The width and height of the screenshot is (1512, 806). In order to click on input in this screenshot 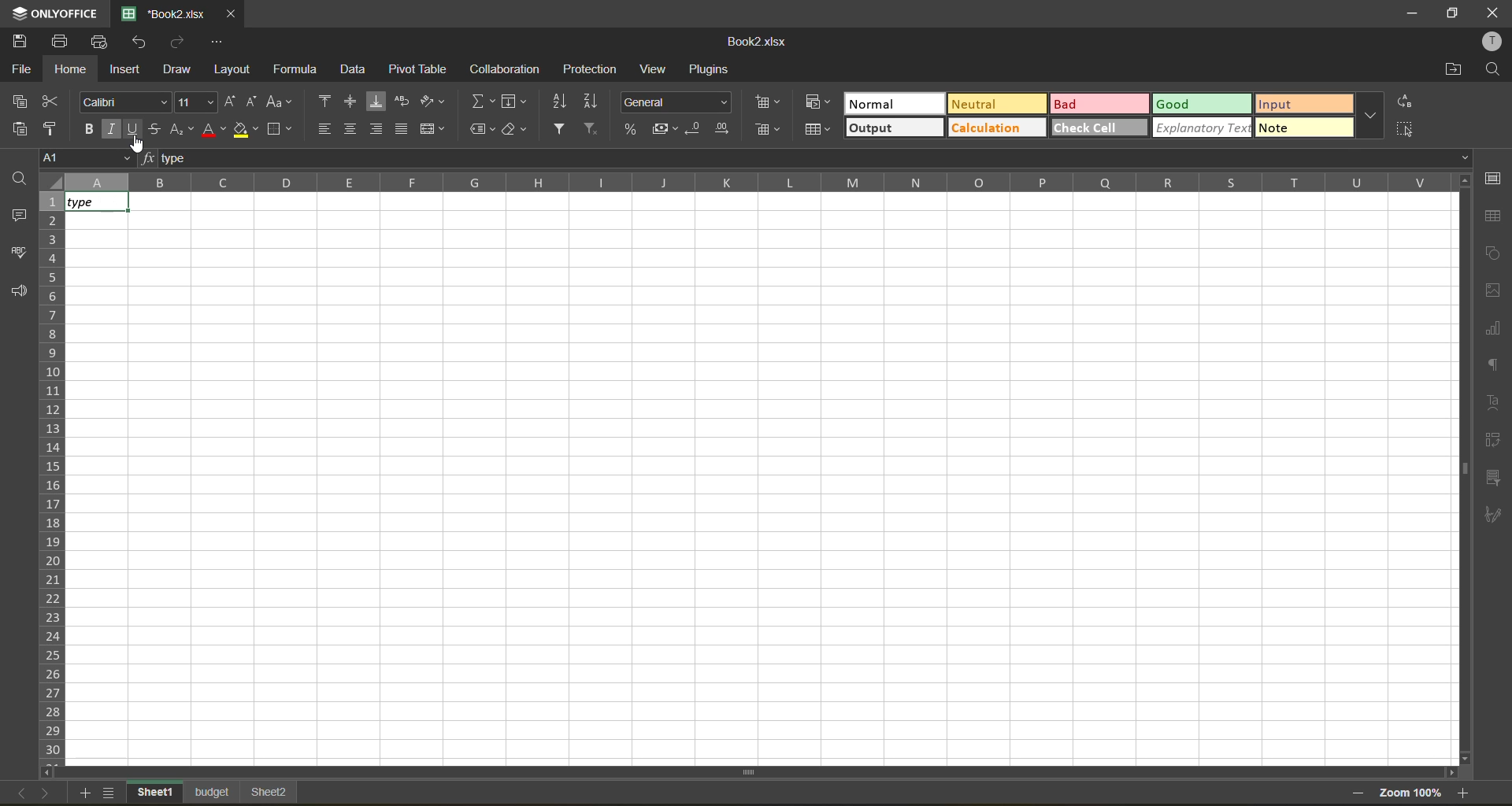, I will do `click(1303, 106)`.